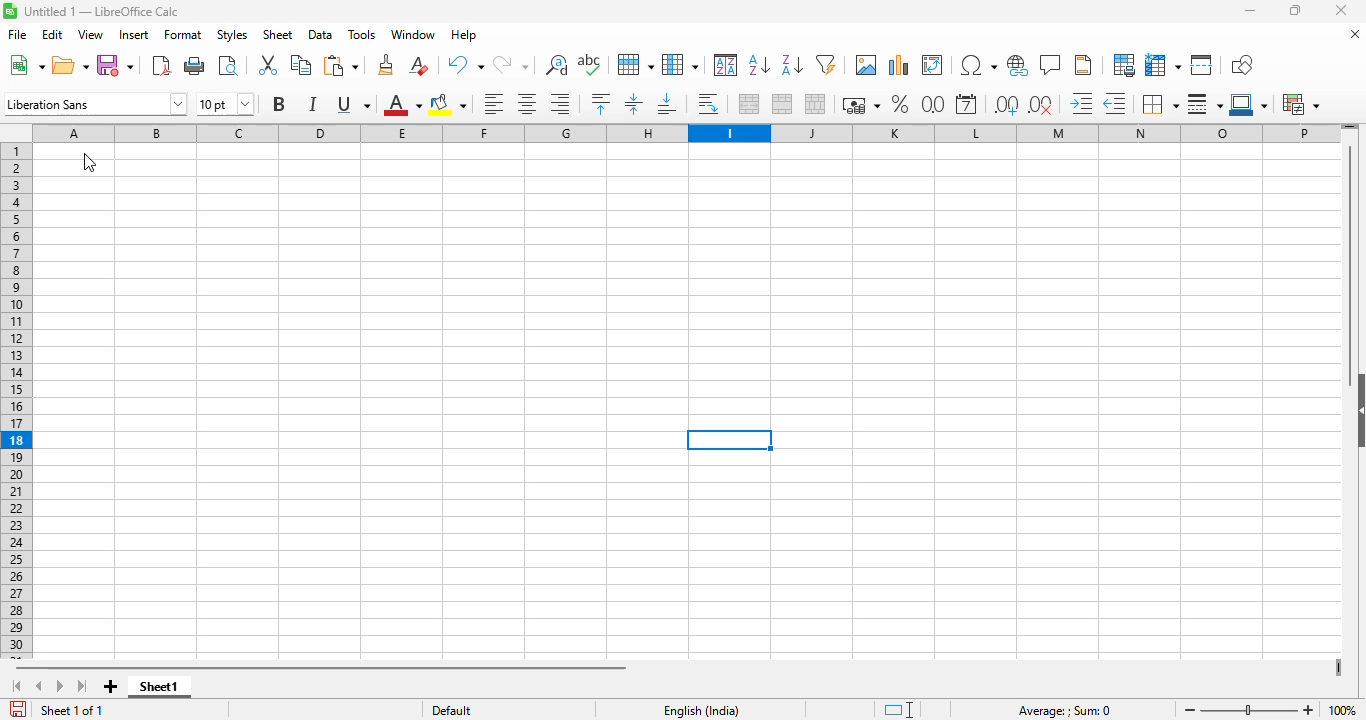 The height and width of the screenshot is (720, 1366). Describe the element at coordinates (1007, 105) in the screenshot. I see `add decimal` at that location.